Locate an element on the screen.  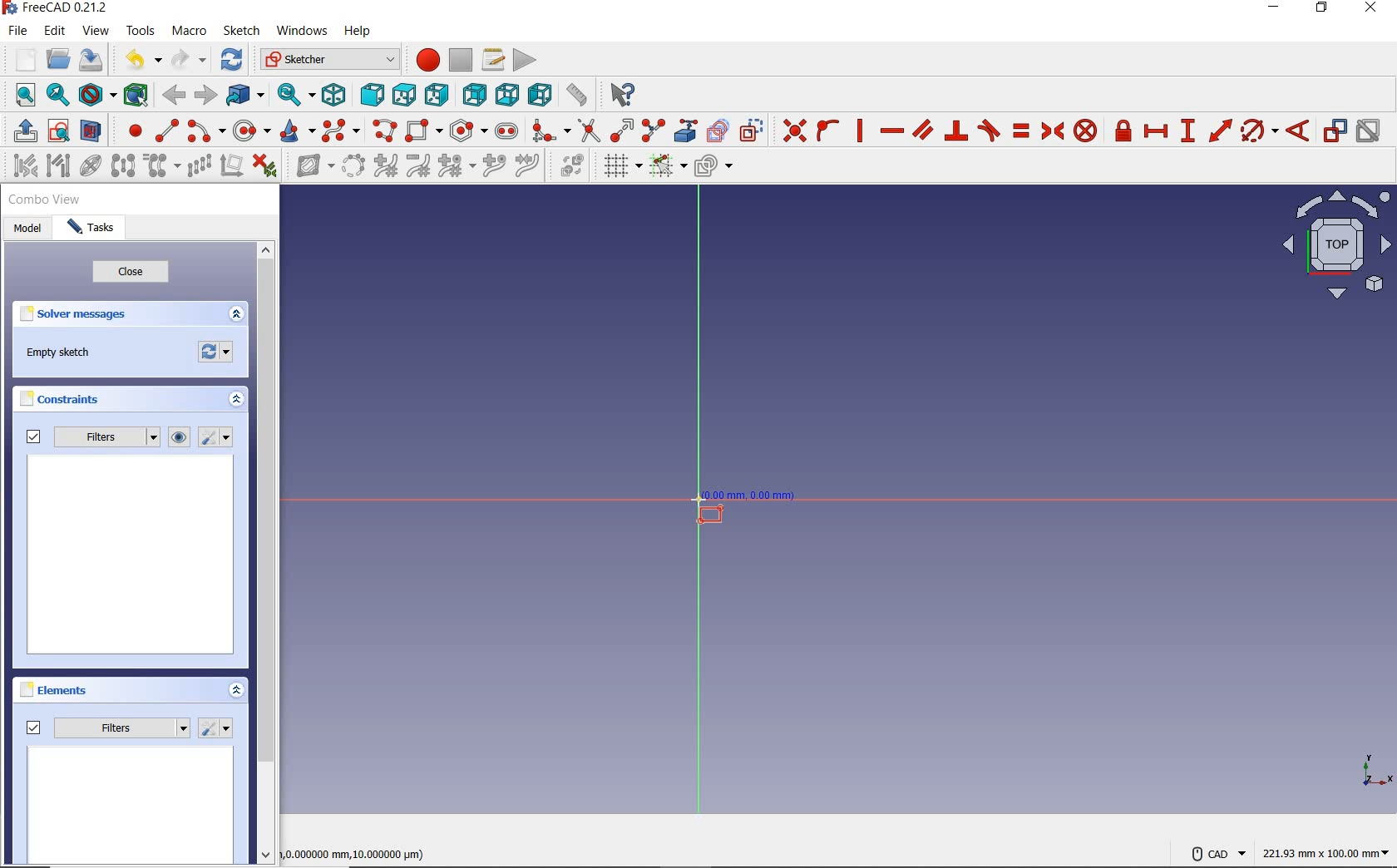
stop macro recording is located at coordinates (461, 60).